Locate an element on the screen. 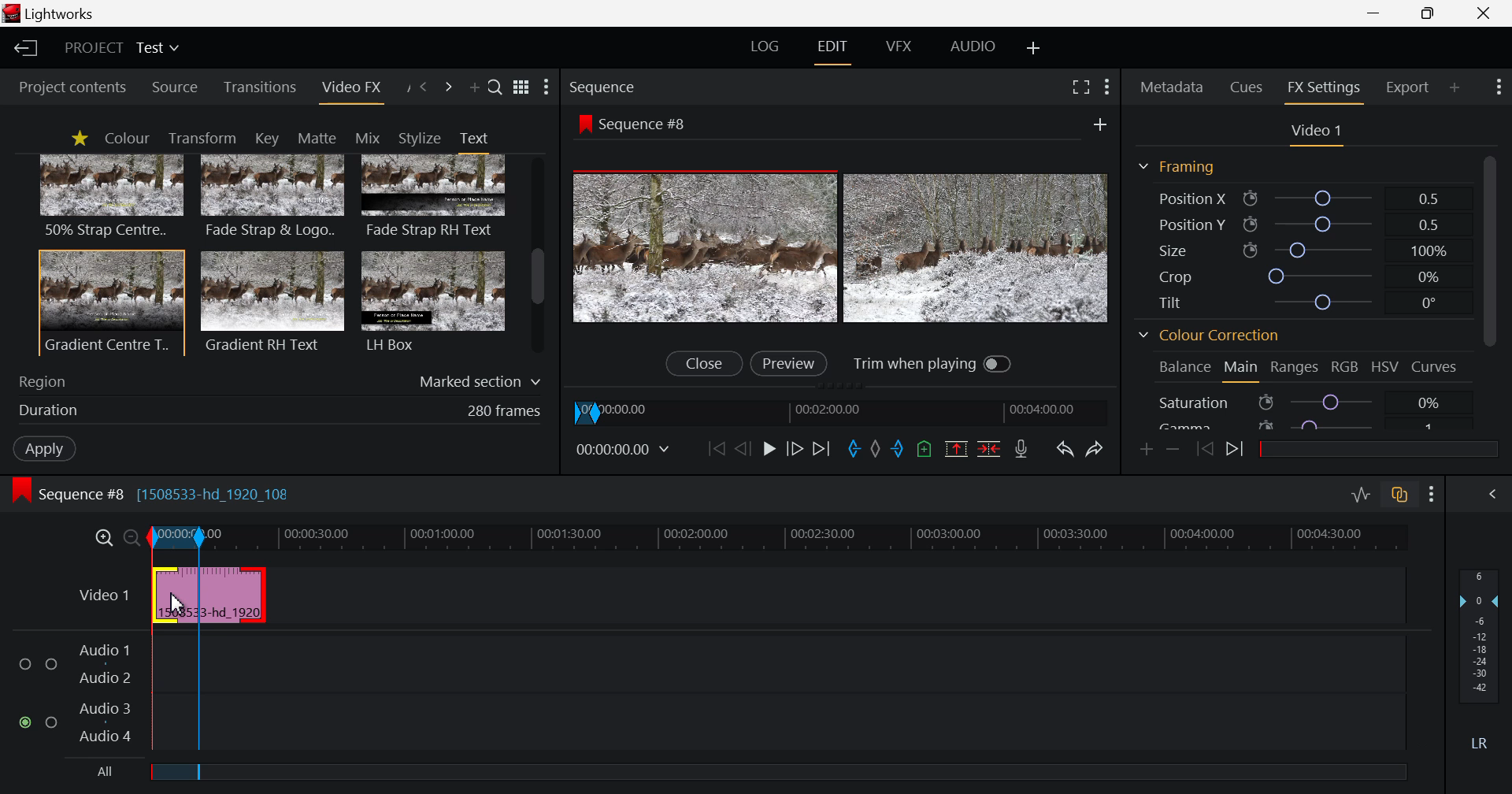 The width and height of the screenshot is (1512, 794). Export is located at coordinates (1408, 85).